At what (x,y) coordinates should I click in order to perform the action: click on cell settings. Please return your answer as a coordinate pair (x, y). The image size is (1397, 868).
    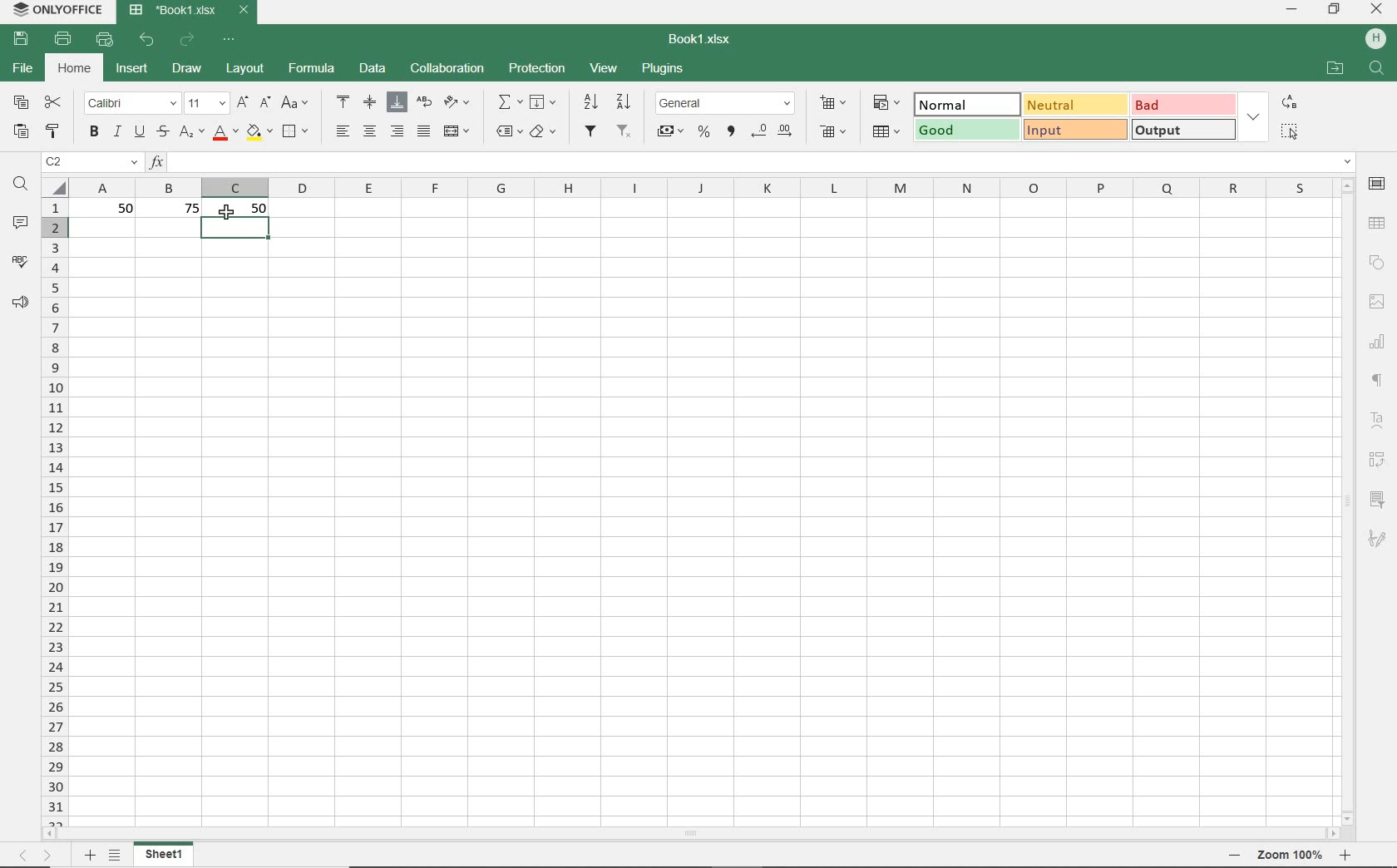
    Looking at the image, I should click on (1377, 185).